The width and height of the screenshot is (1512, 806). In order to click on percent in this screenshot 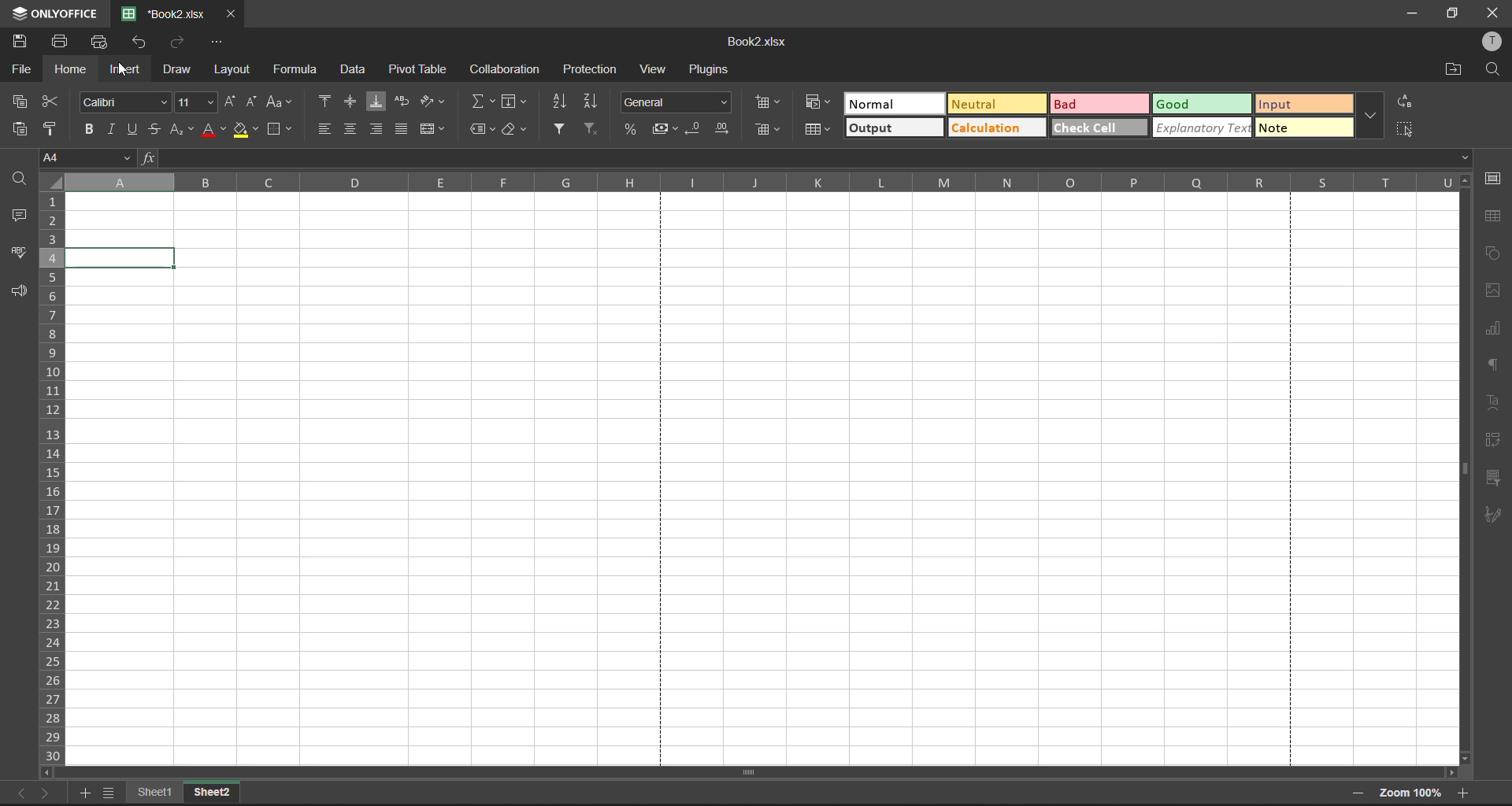, I will do `click(632, 130)`.